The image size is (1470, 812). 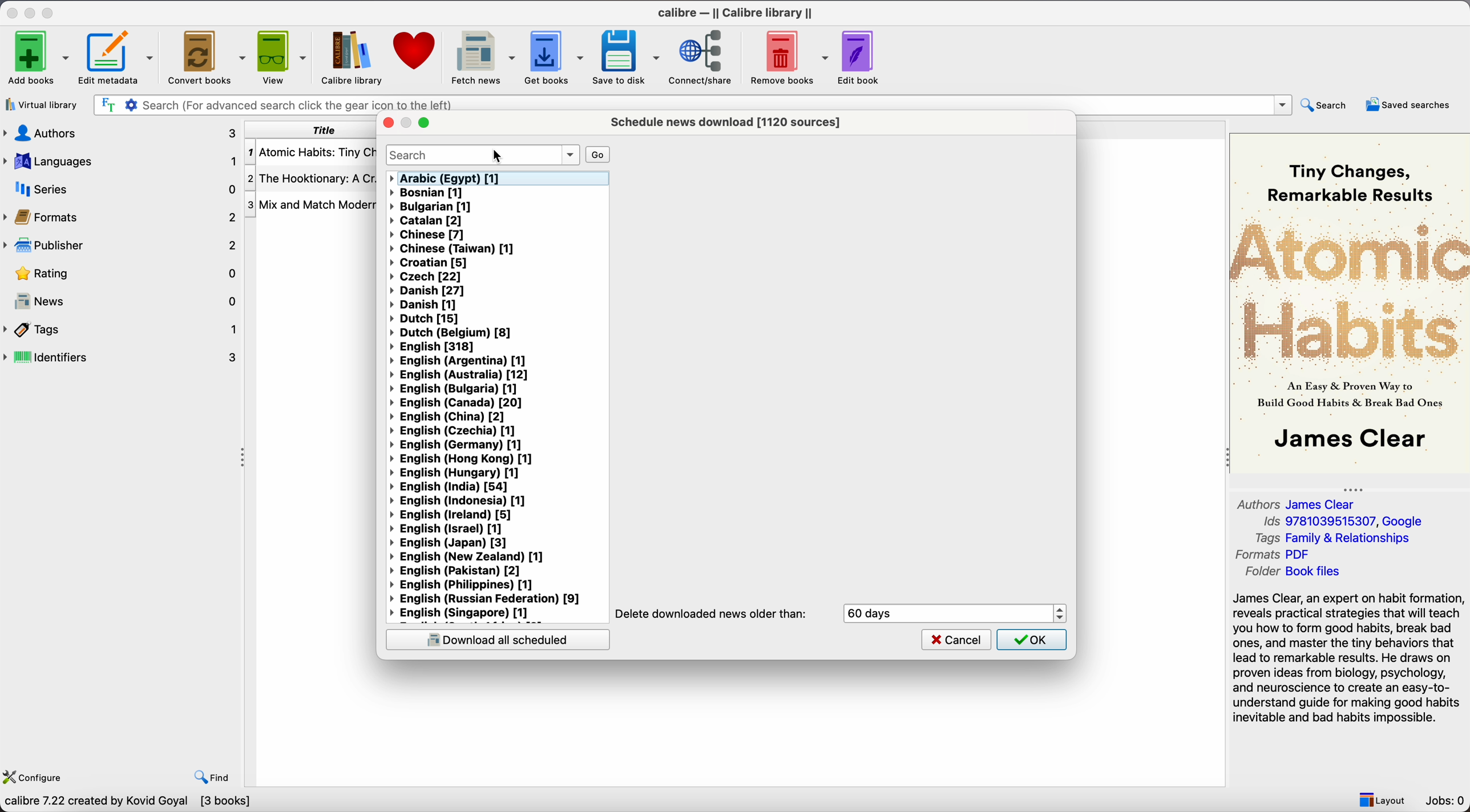 What do you see at coordinates (554, 58) in the screenshot?
I see `get books` at bounding box center [554, 58].